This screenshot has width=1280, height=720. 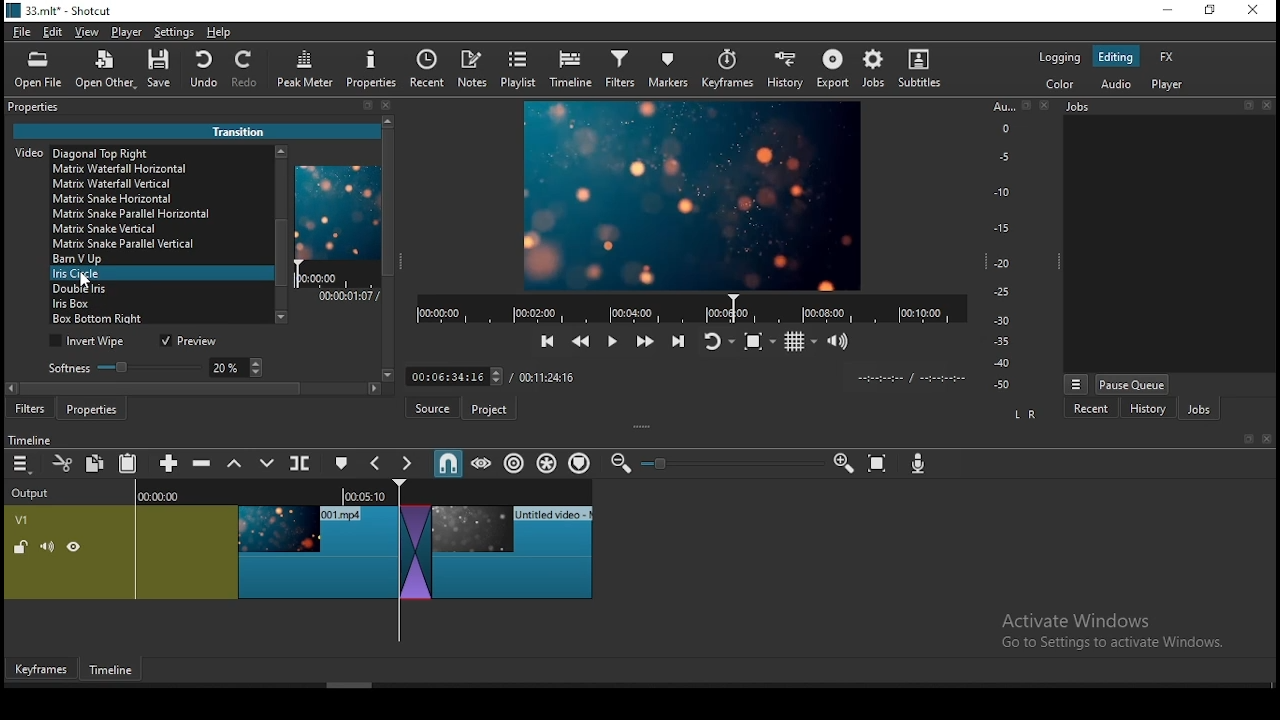 I want to click on peak meter, so click(x=307, y=68).